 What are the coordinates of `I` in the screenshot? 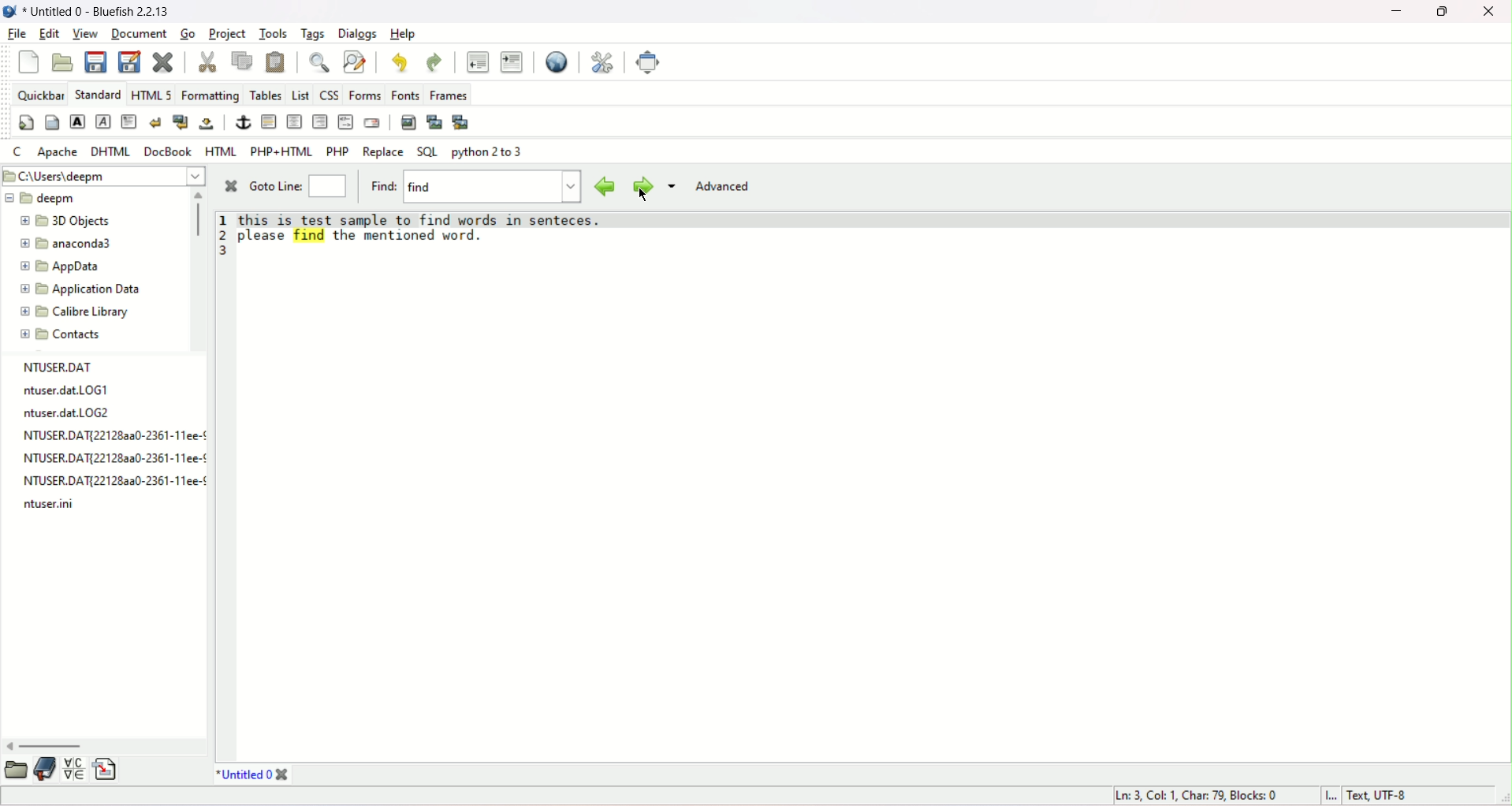 It's located at (1331, 797).